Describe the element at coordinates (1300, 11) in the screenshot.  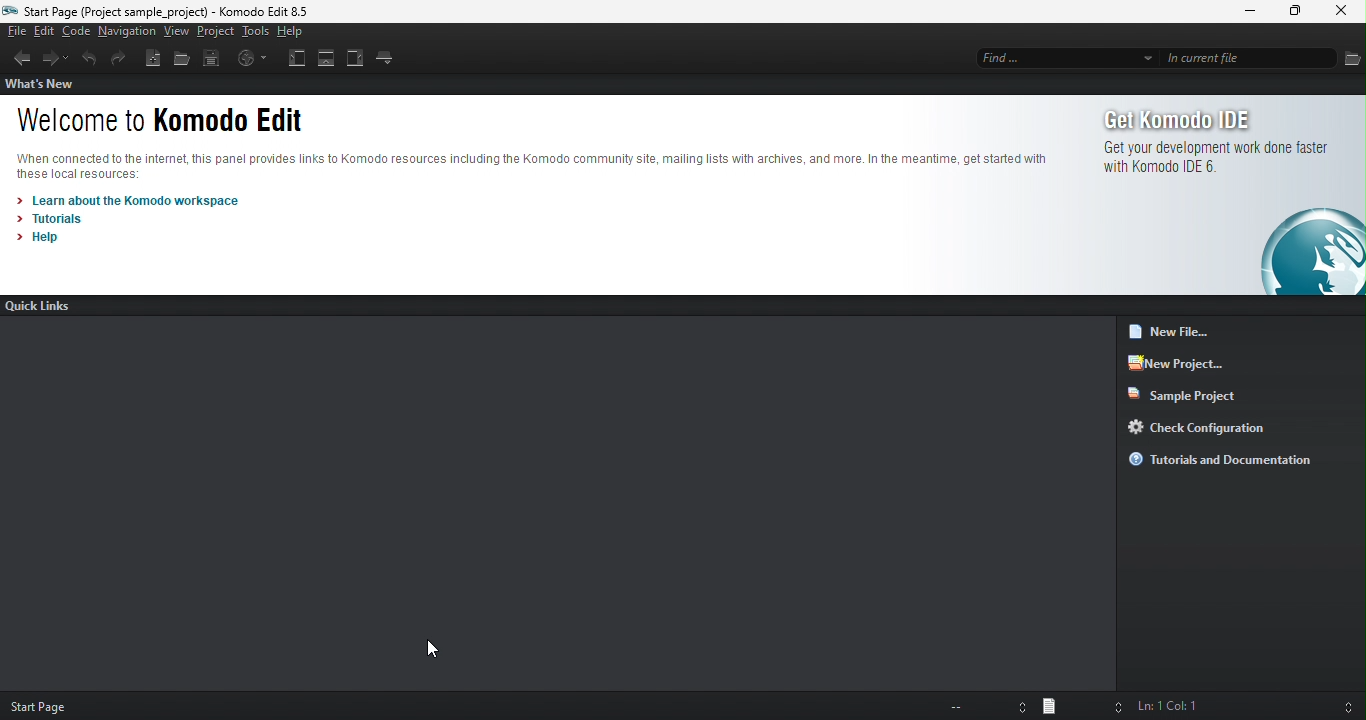
I see `maximize` at that location.